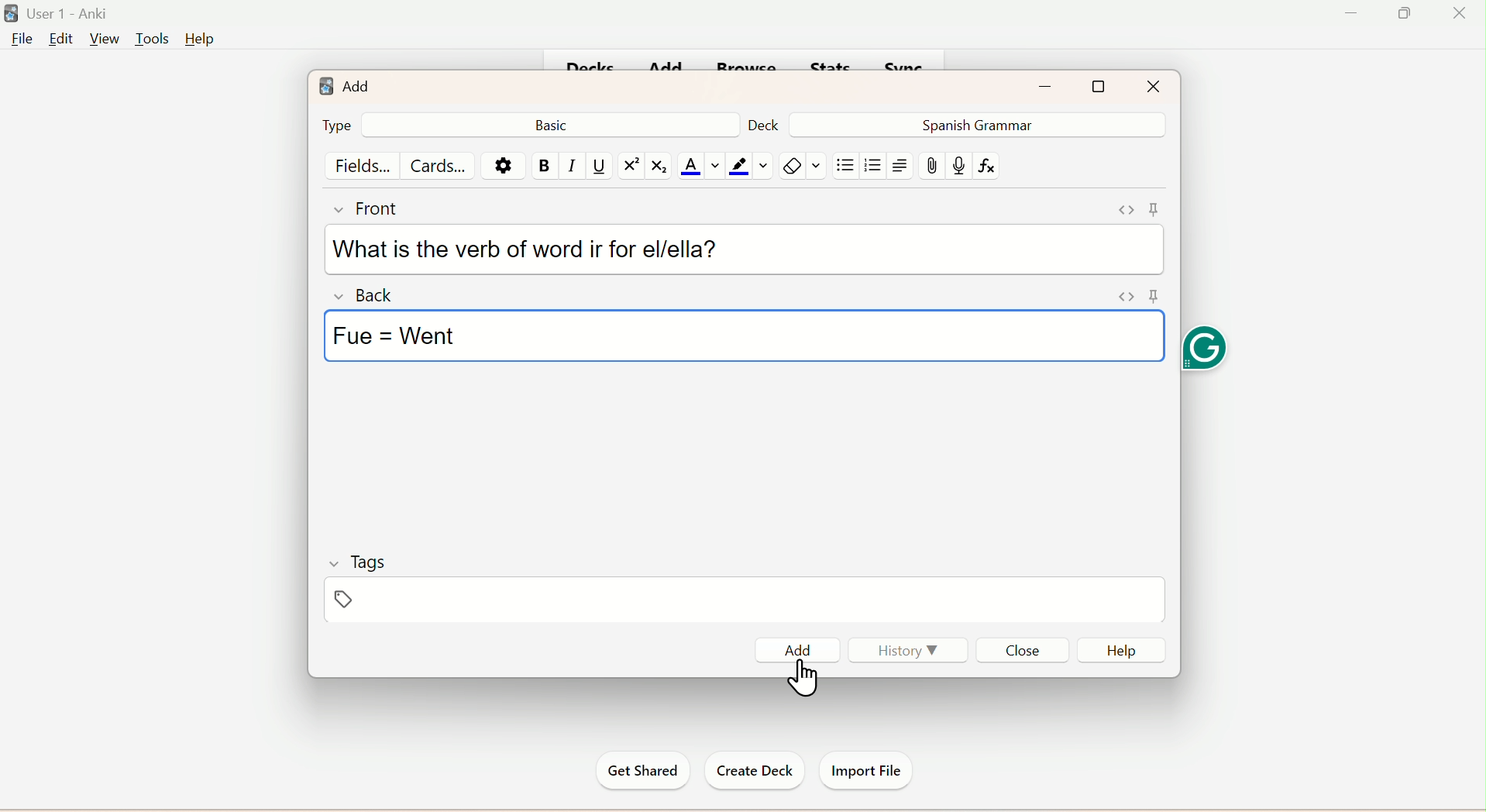 This screenshot has height=812, width=1486. What do you see at coordinates (1021, 649) in the screenshot?
I see `Close` at bounding box center [1021, 649].